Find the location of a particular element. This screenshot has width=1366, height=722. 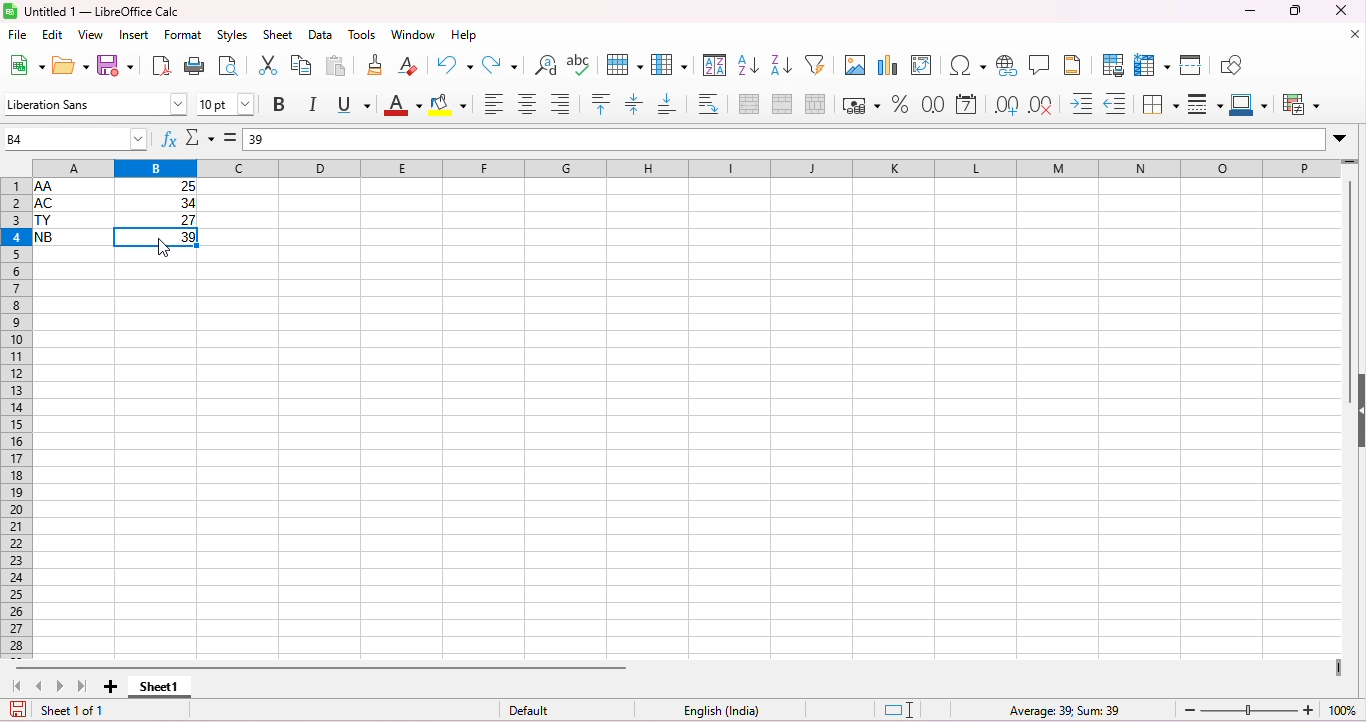

conditional is located at coordinates (1299, 106).